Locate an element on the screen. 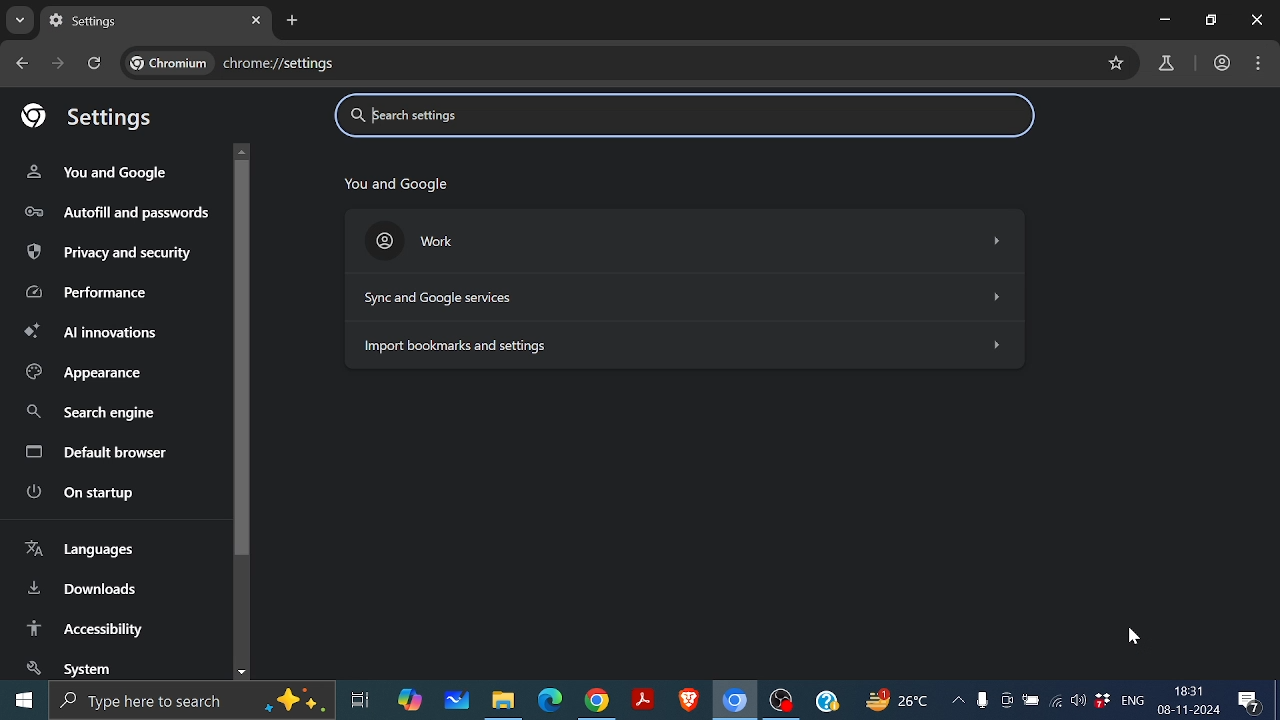 The image size is (1280, 720). Go to next page is located at coordinates (60, 63).